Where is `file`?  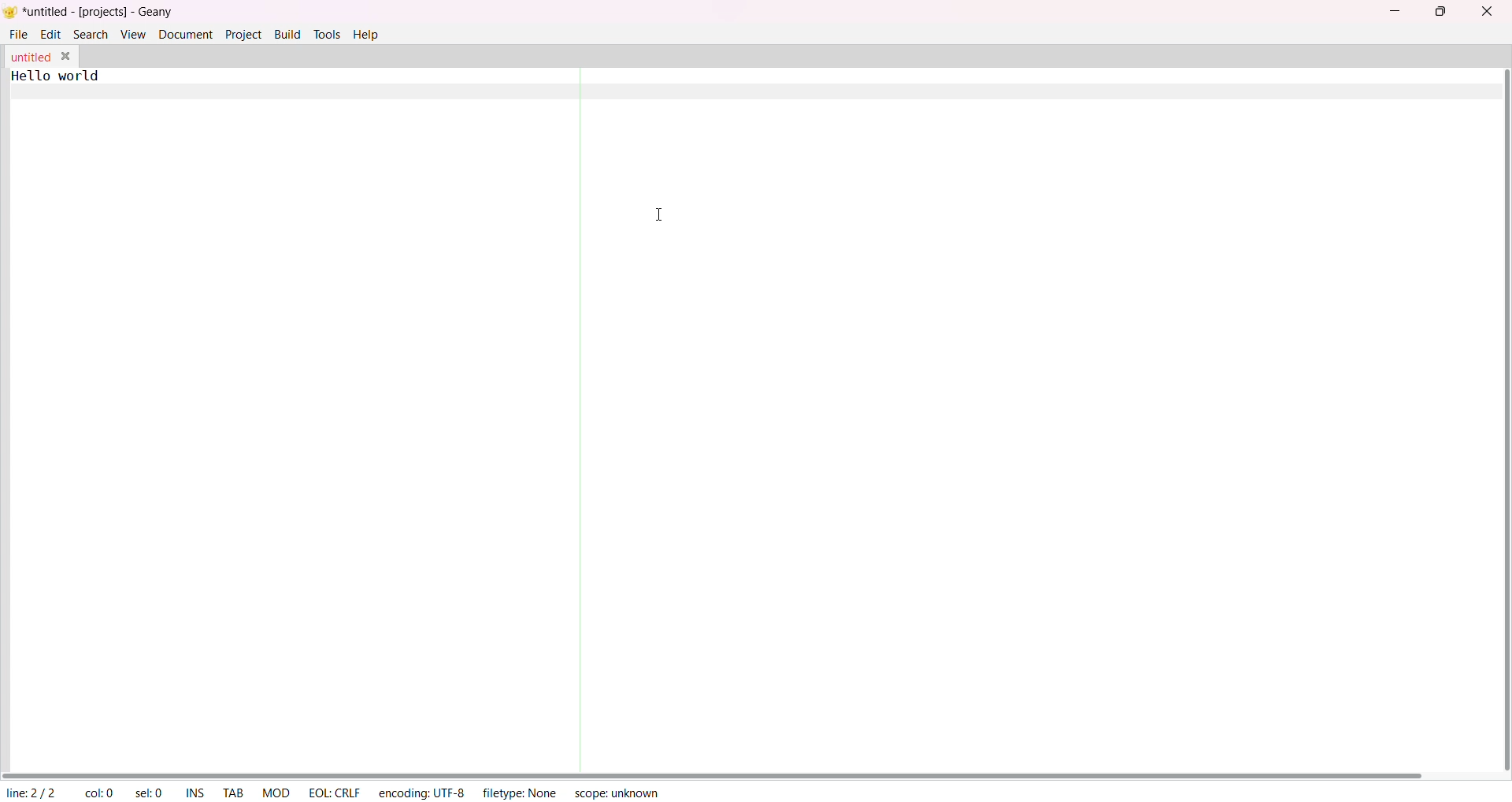 file is located at coordinates (20, 32).